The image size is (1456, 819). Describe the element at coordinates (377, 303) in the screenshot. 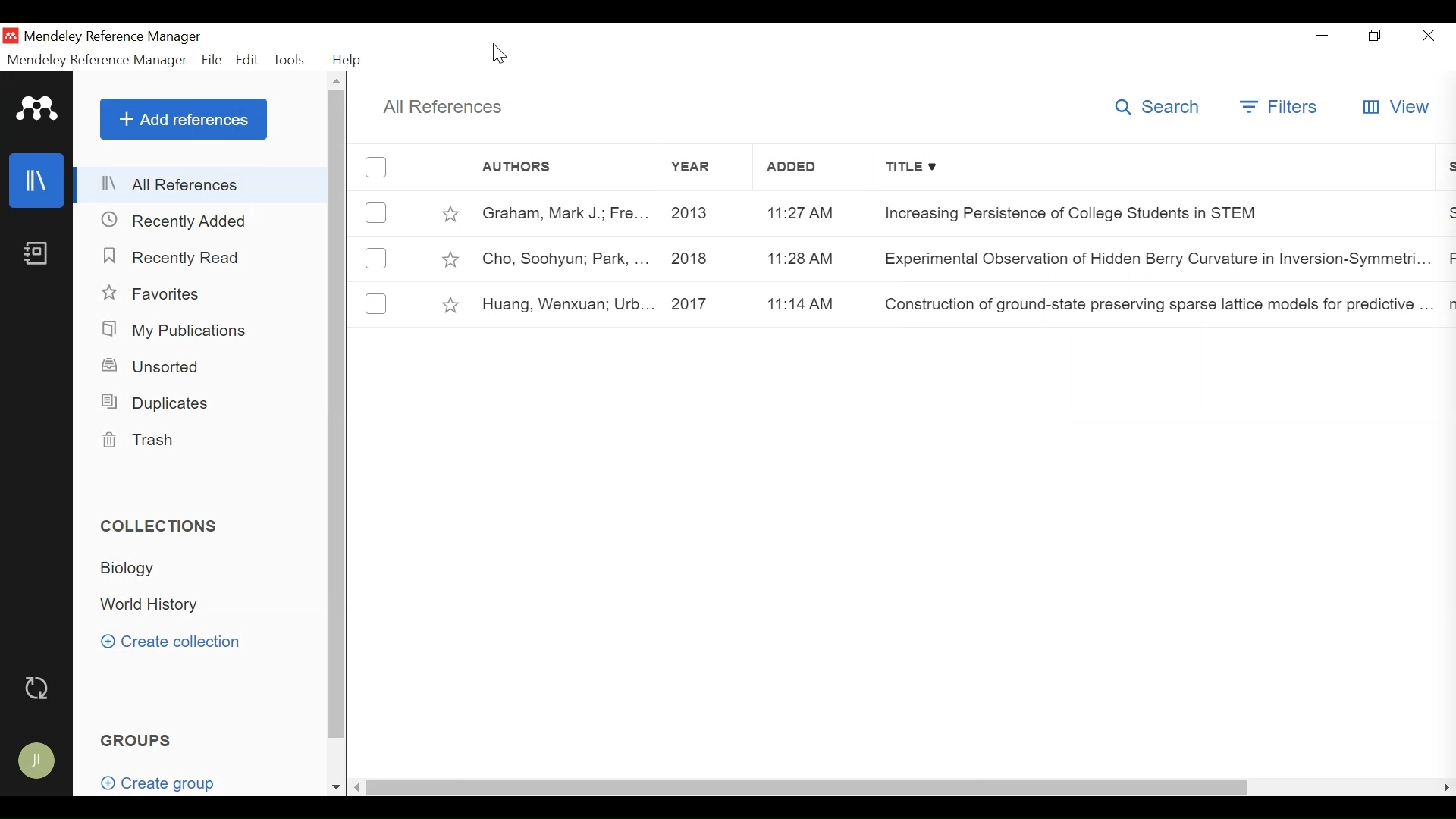

I see `checkbox` at that location.